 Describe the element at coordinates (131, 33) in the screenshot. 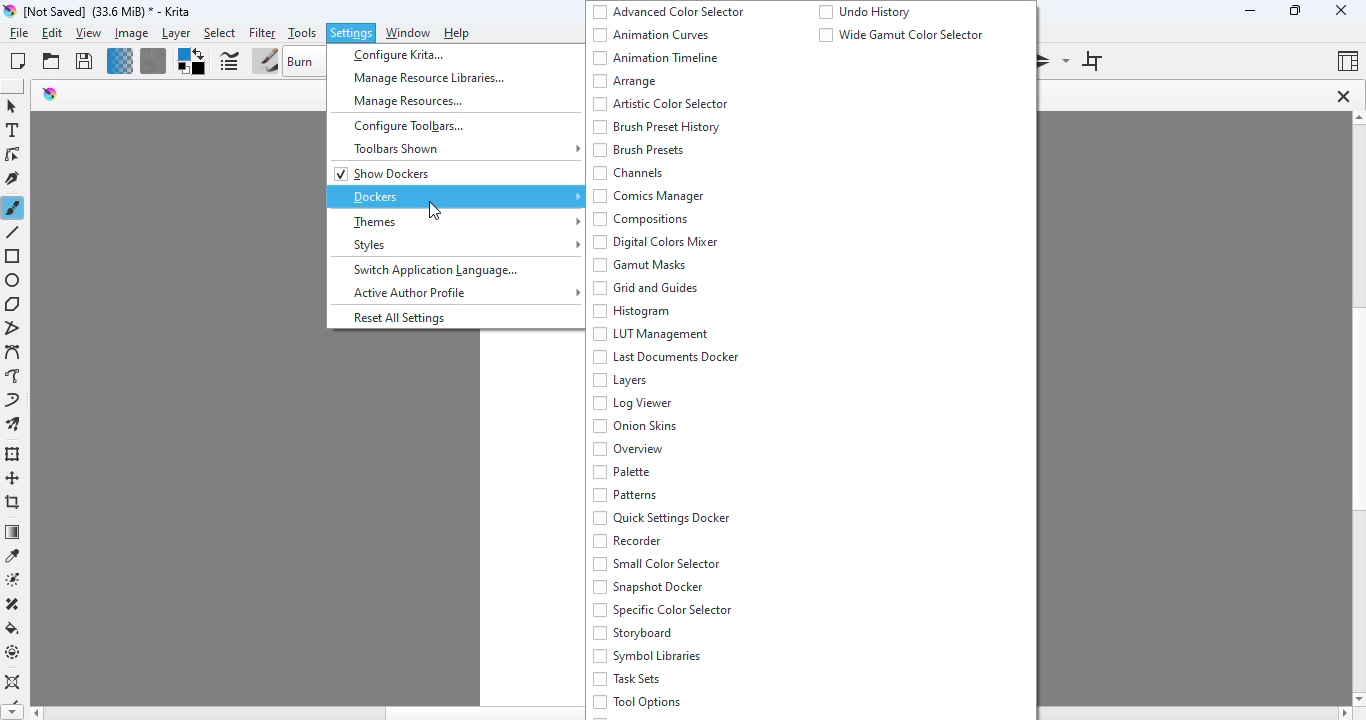

I see `image` at that location.